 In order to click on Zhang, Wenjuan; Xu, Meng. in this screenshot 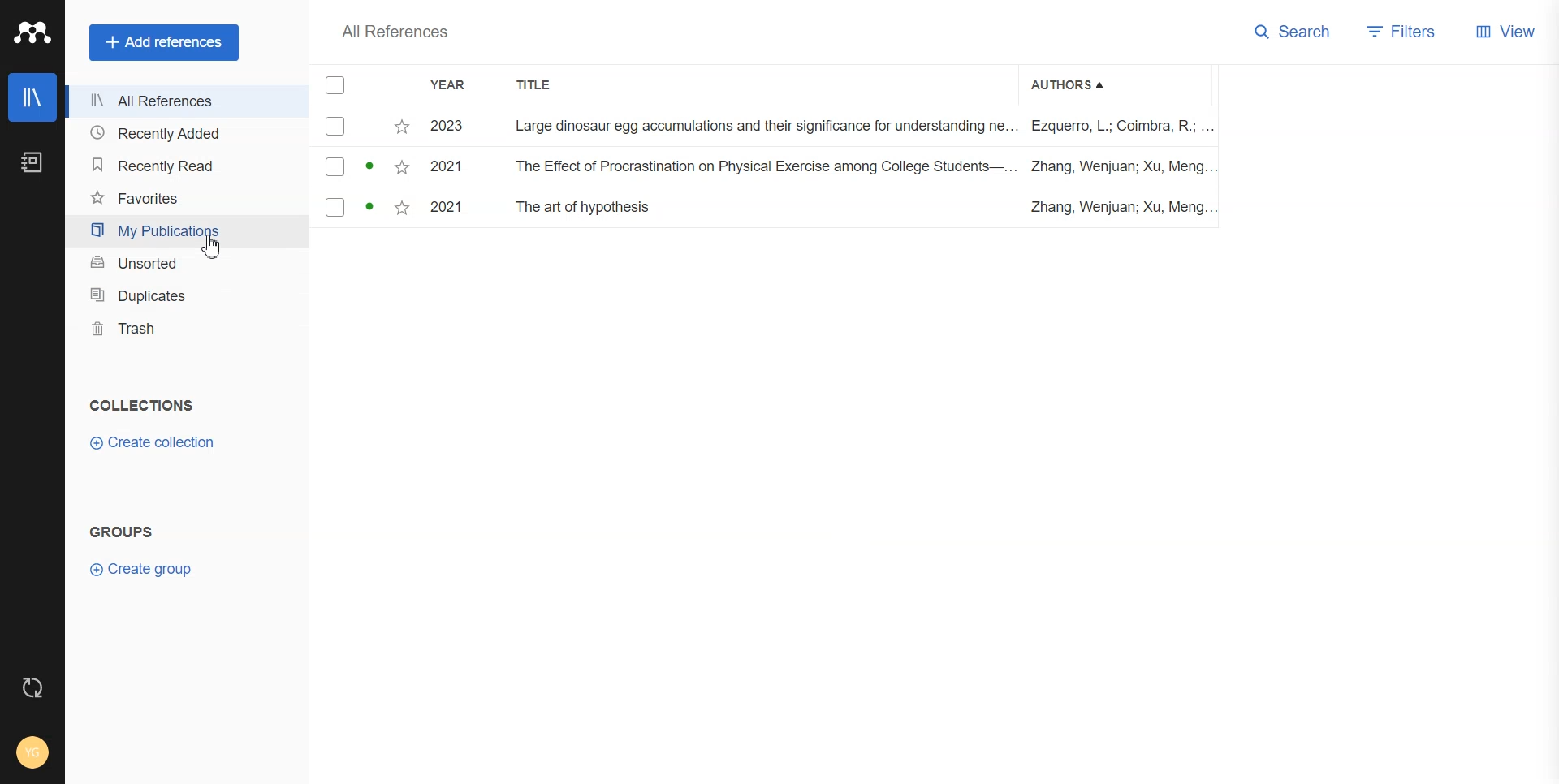, I will do `click(1119, 167)`.